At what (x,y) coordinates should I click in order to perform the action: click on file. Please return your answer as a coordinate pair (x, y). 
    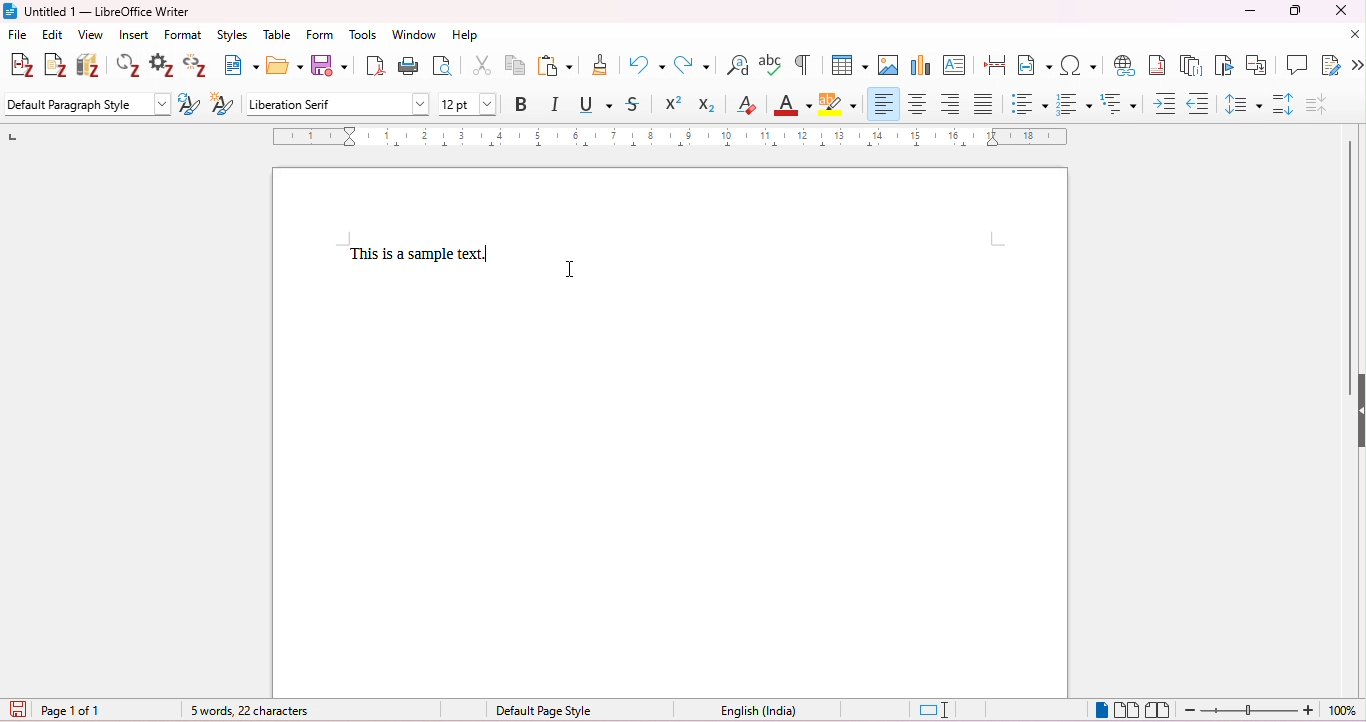
    Looking at the image, I should click on (16, 35).